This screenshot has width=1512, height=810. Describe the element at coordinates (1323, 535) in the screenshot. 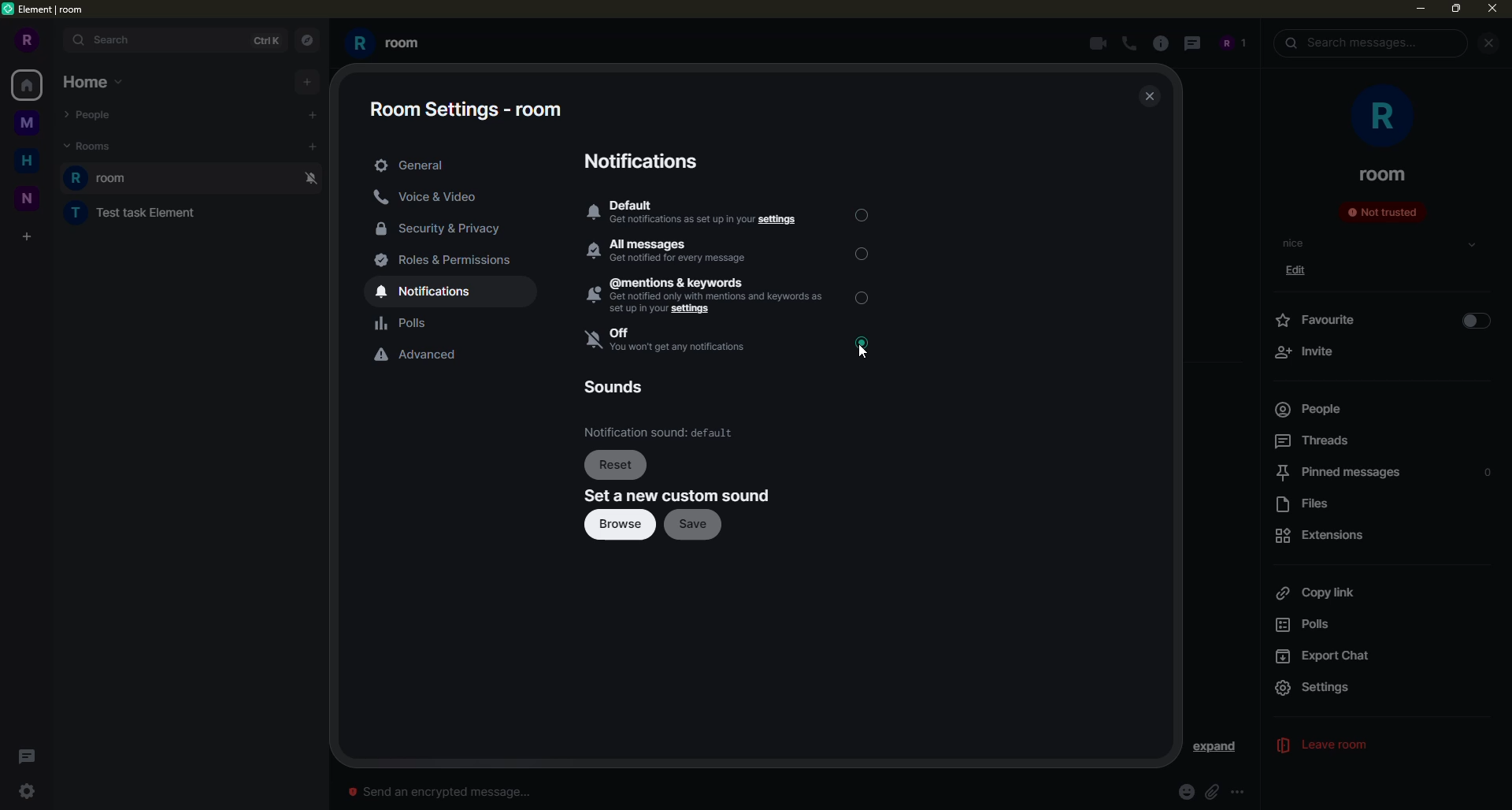

I see `extensions` at that location.